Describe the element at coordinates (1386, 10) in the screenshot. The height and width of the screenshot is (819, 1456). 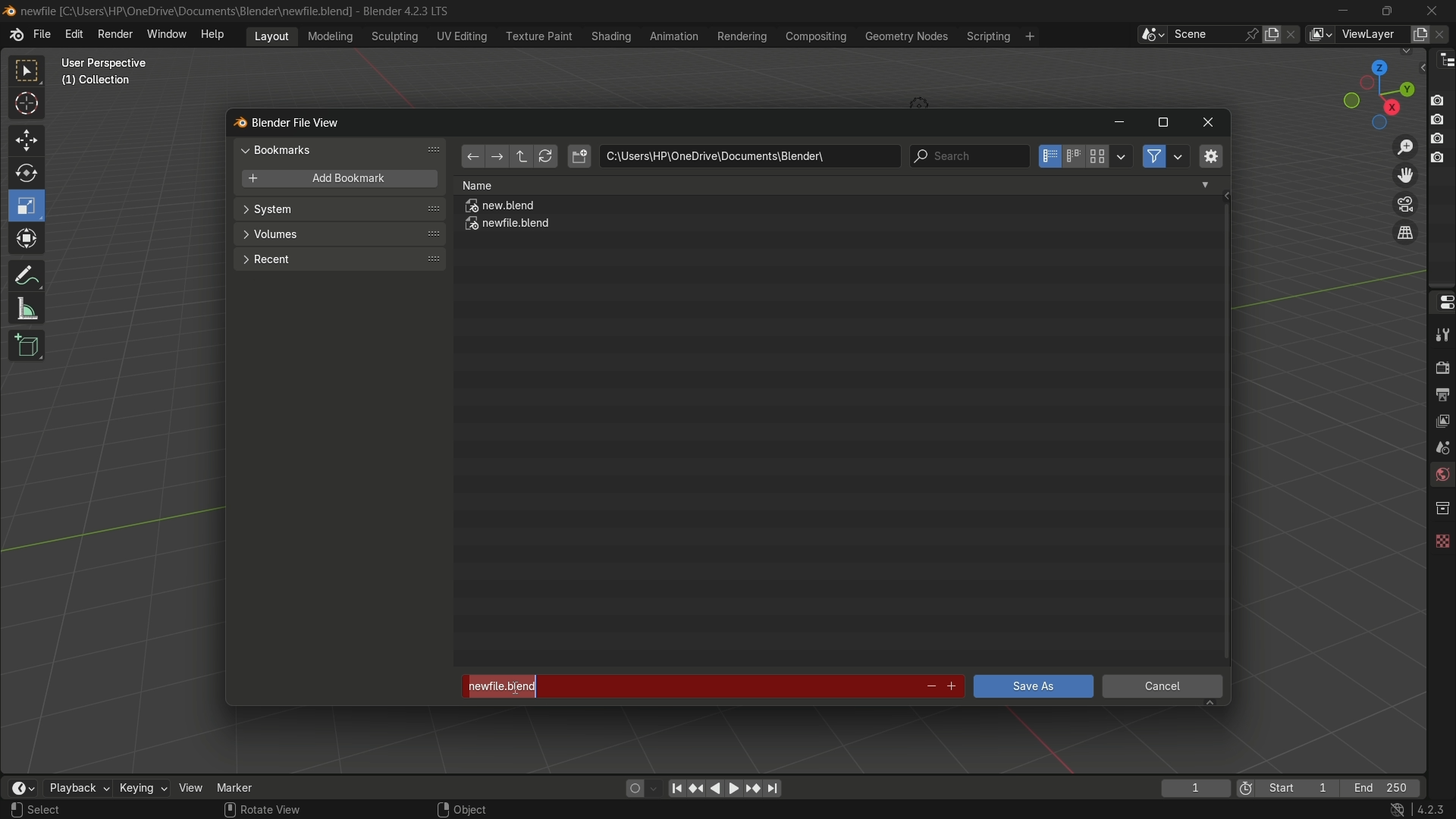
I see `maximize or restore` at that location.